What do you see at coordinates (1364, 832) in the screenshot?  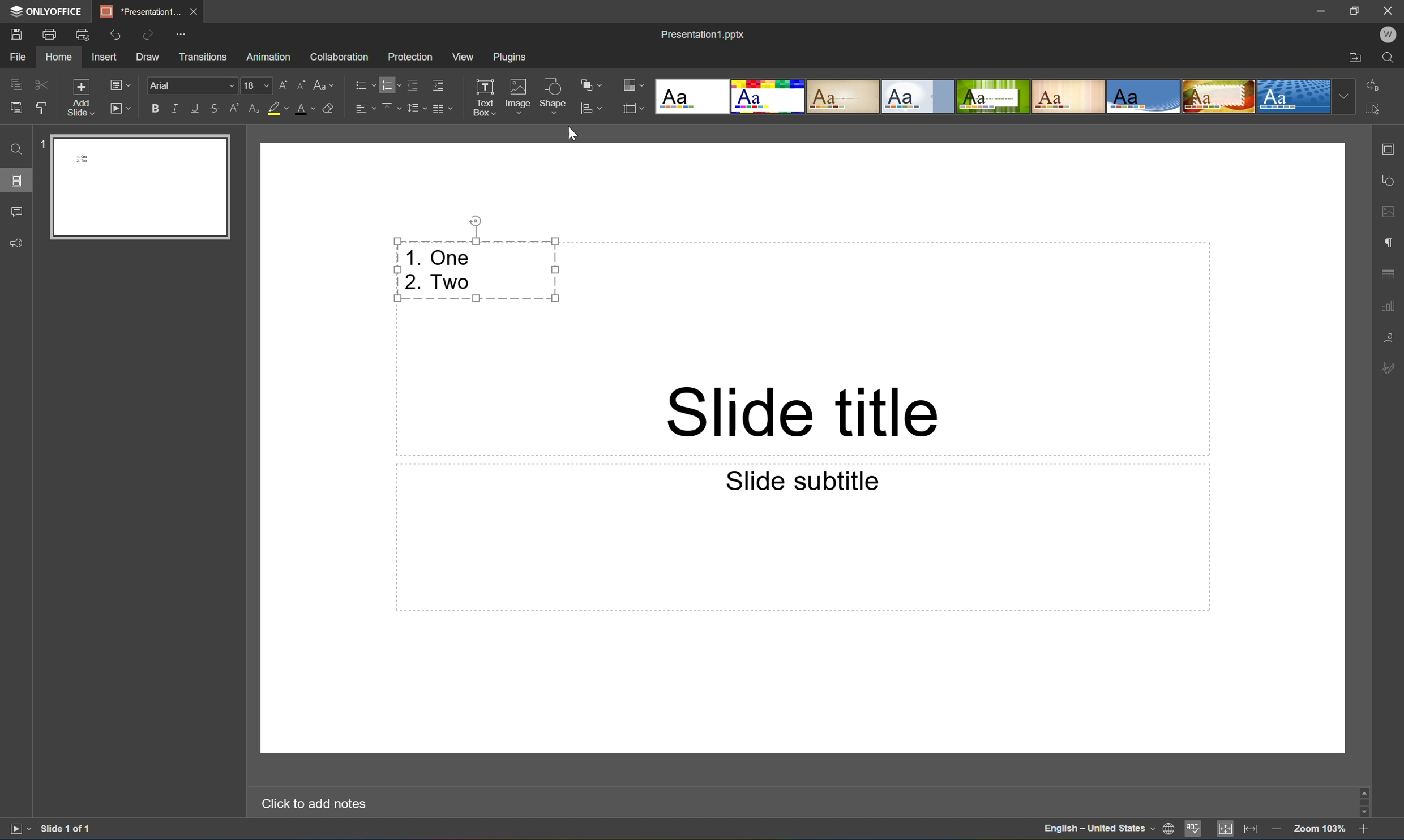 I see `Zoom in` at bounding box center [1364, 832].